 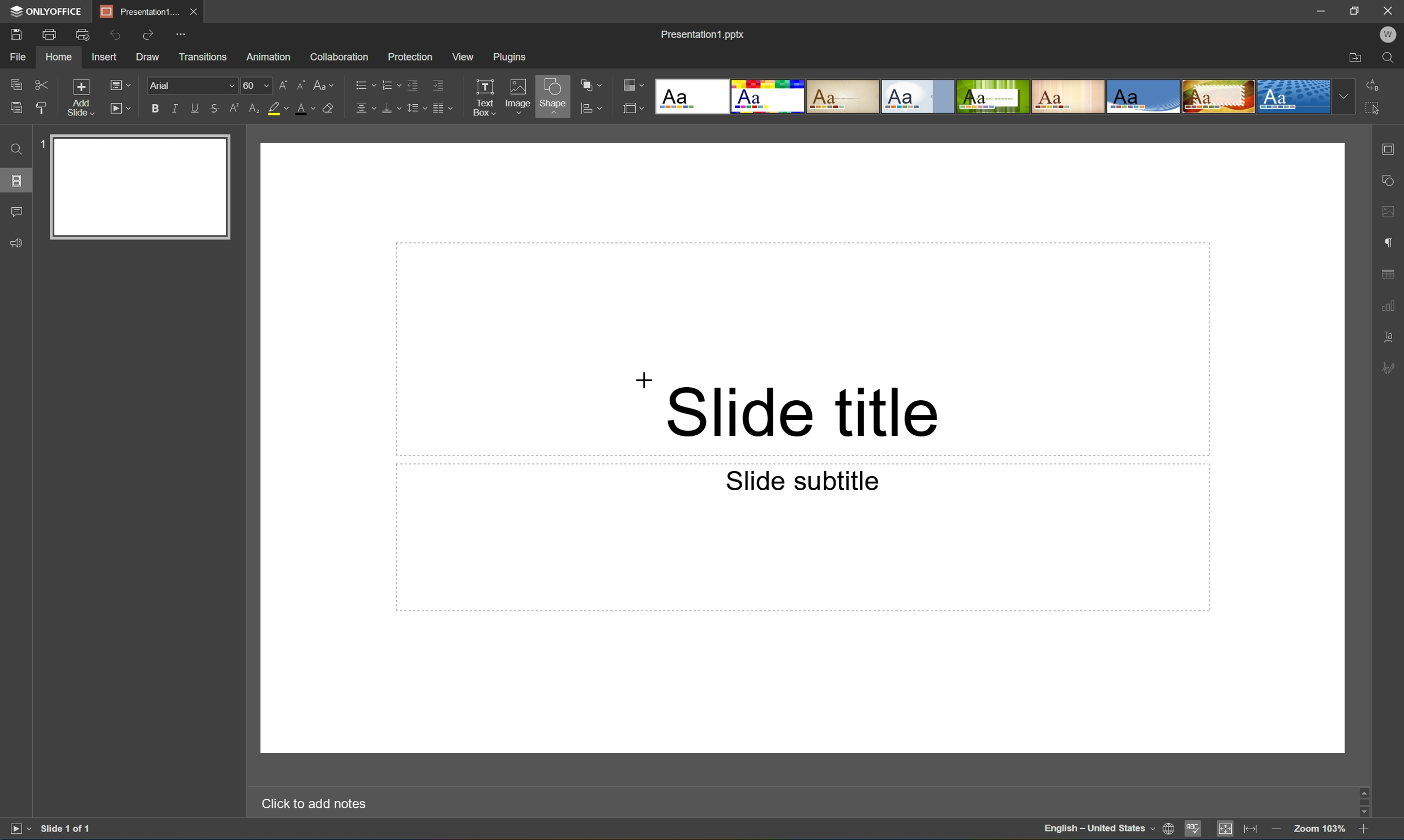 I want to click on Cursor, so click(x=644, y=380).